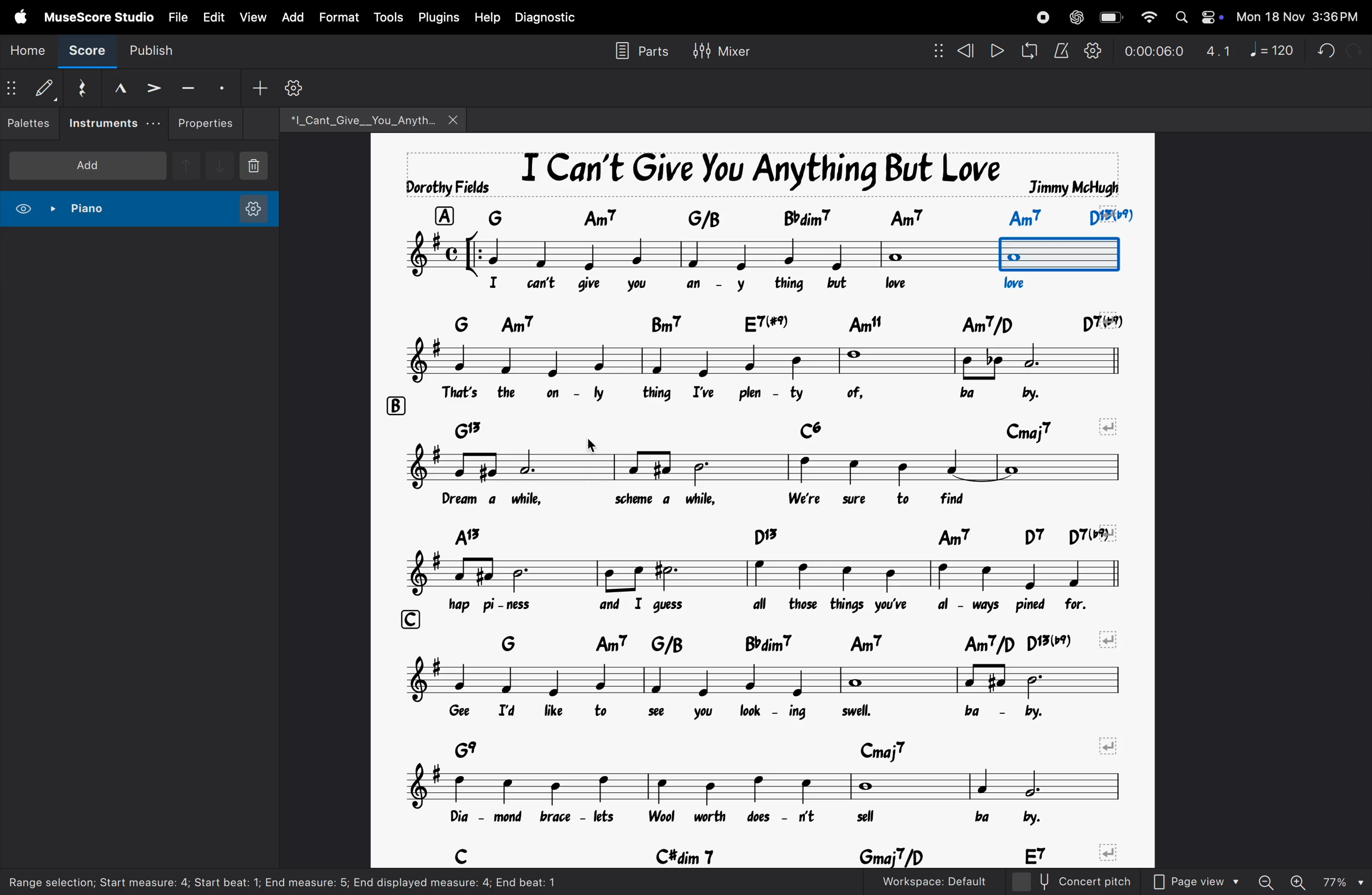  I want to click on date and time, so click(1298, 17).